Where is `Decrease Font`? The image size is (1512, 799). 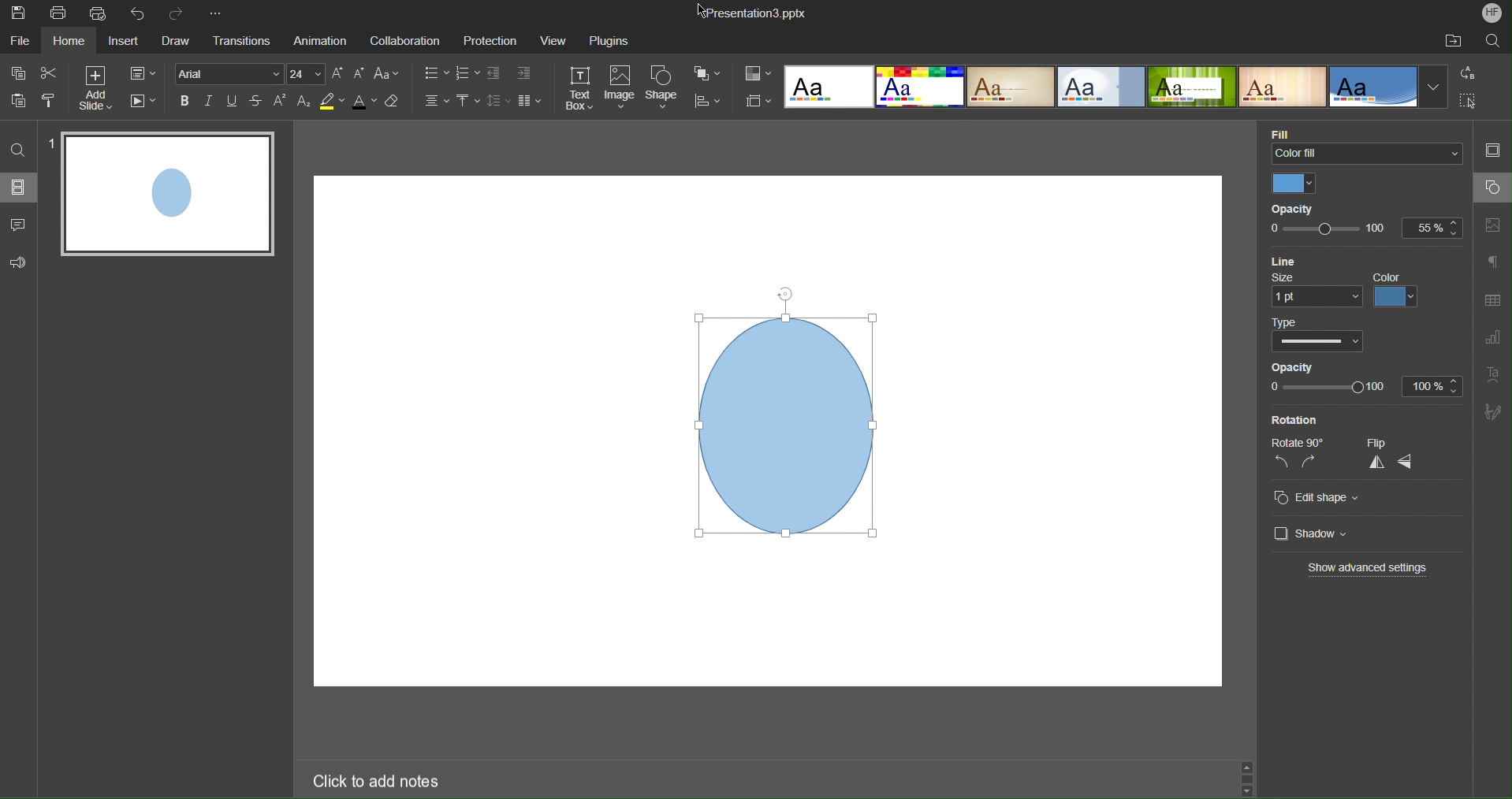
Decrease Font is located at coordinates (360, 74).